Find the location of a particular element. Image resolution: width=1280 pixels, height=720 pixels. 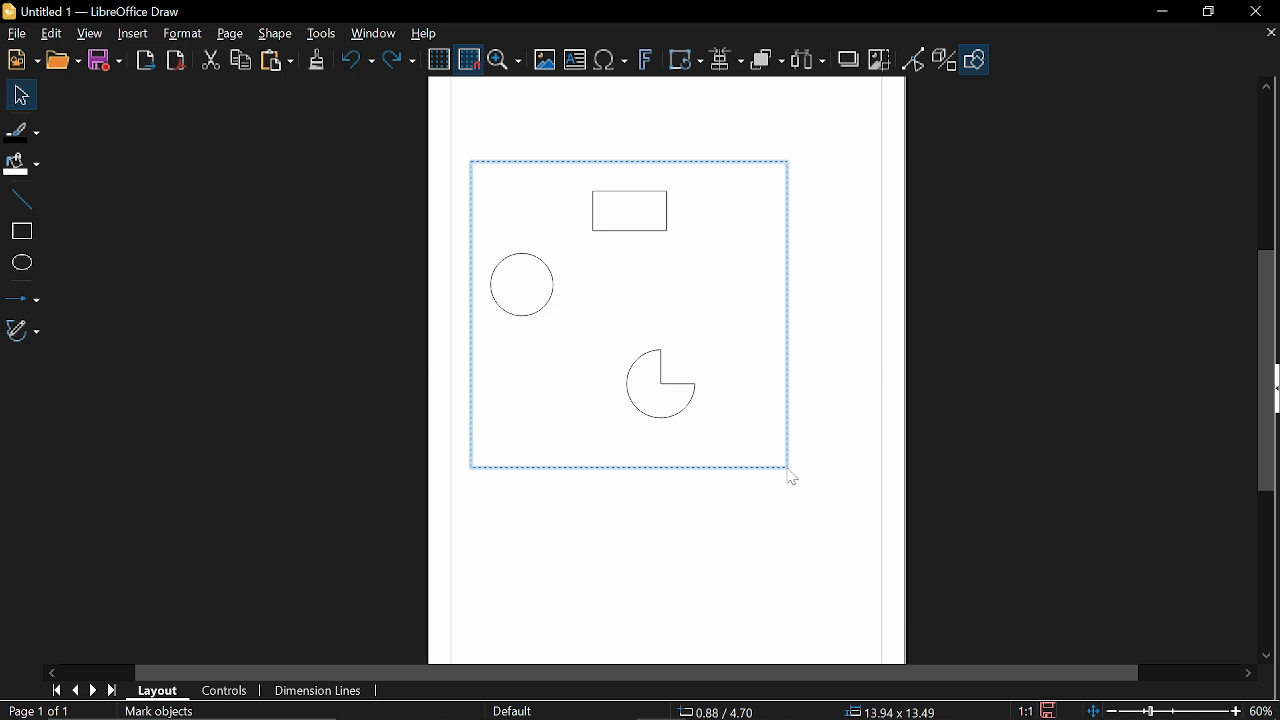

Page is located at coordinates (226, 35).